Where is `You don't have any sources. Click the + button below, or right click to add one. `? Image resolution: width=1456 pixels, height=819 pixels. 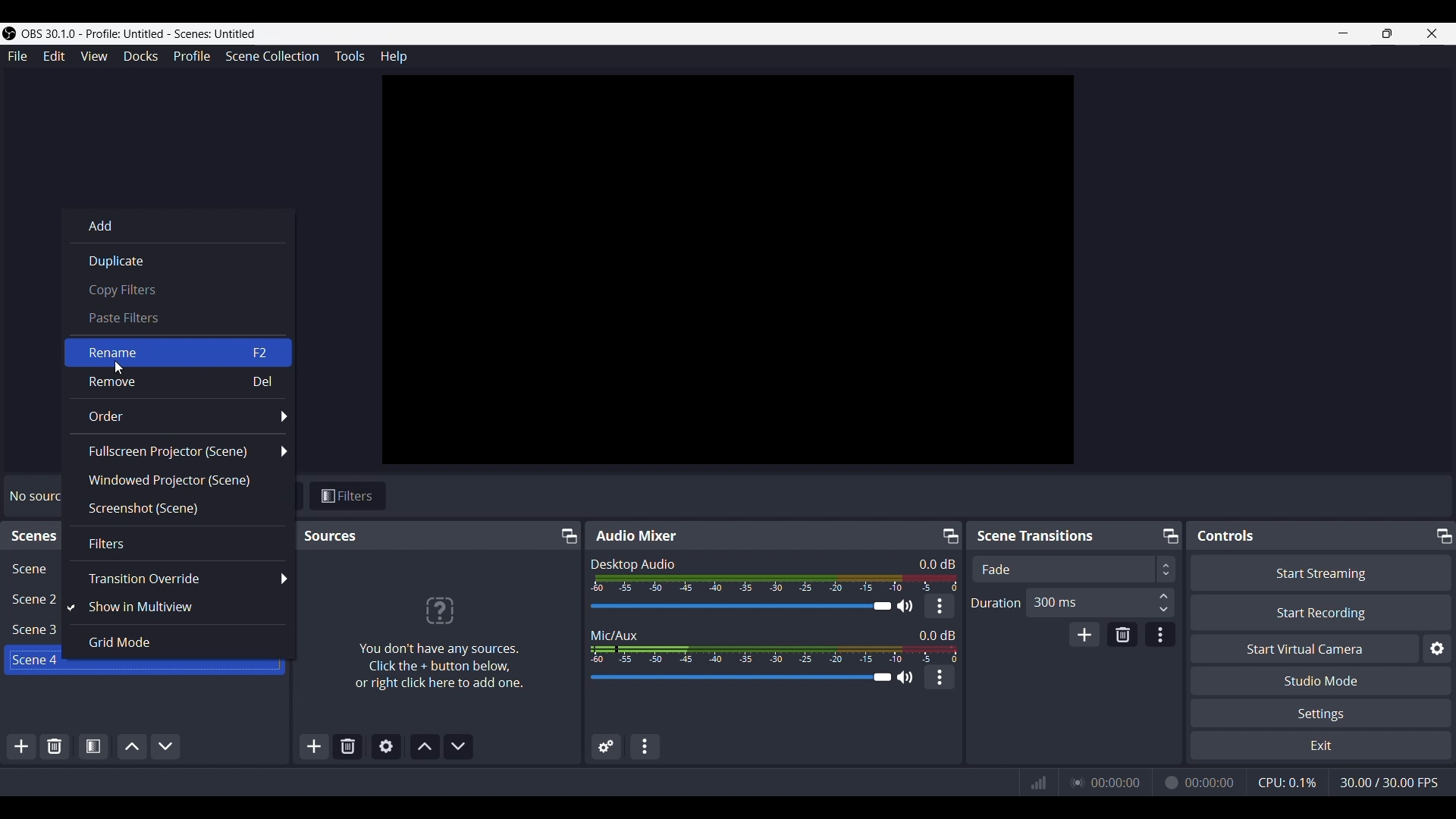
You don't have any sources. Click the + button below, or right click to add one.  is located at coordinates (438, 667).